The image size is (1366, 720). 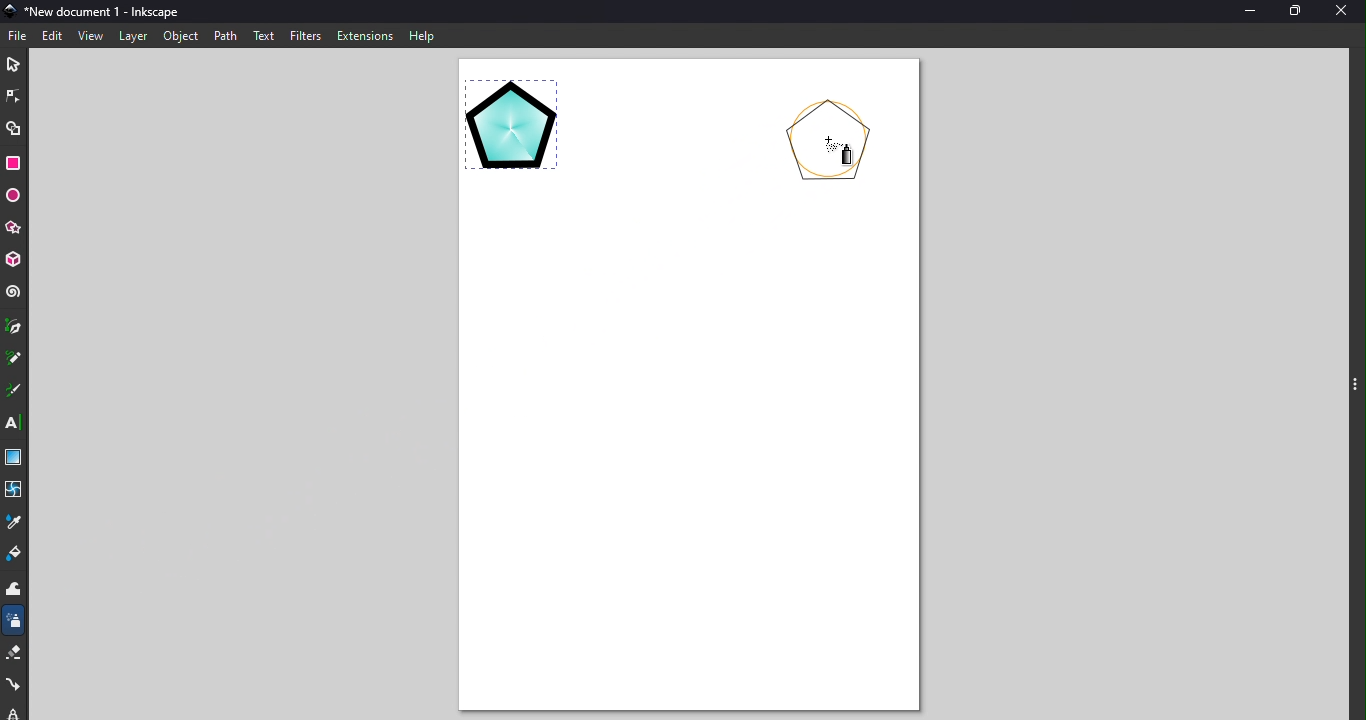 What do you see at coordinates (13, 556) in the screenshot?
I see `Paint bucket tool` at bounding box center [13, 556].